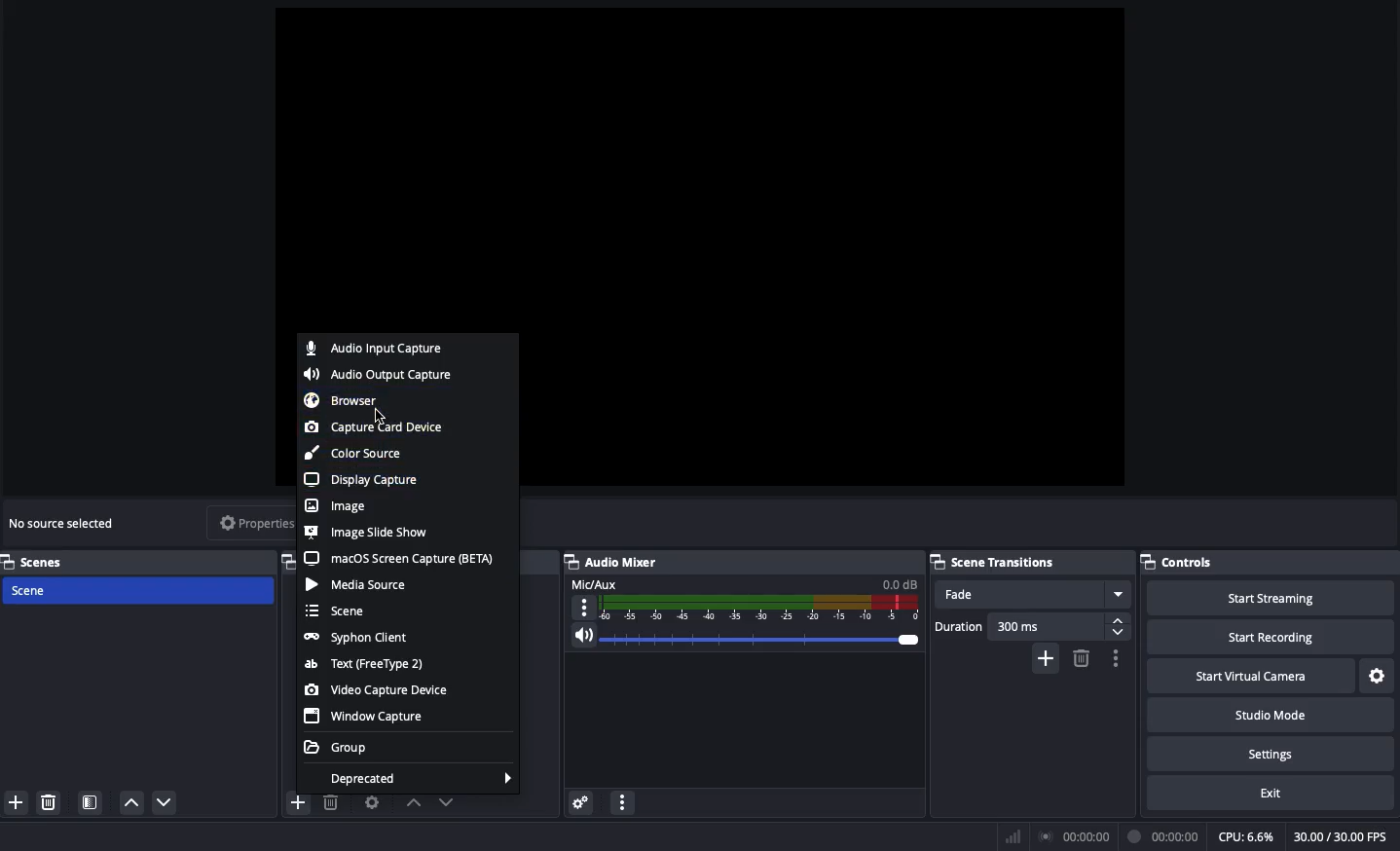 The width and height of the screenshot is (1400, 851). Describe the element at coordinates (622, 804) in the screenshot. I see `options` at that location.